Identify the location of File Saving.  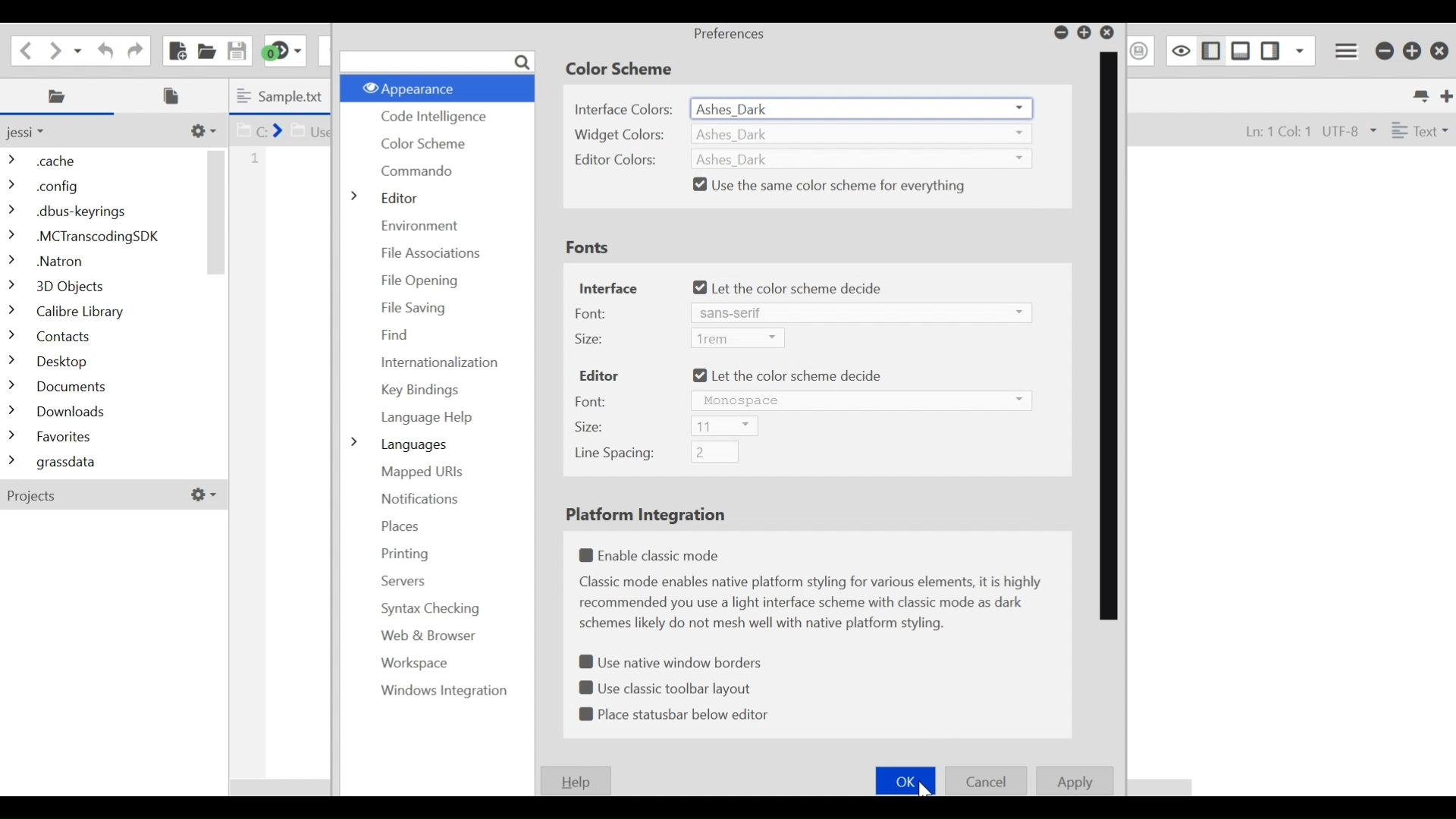
(413, 309).